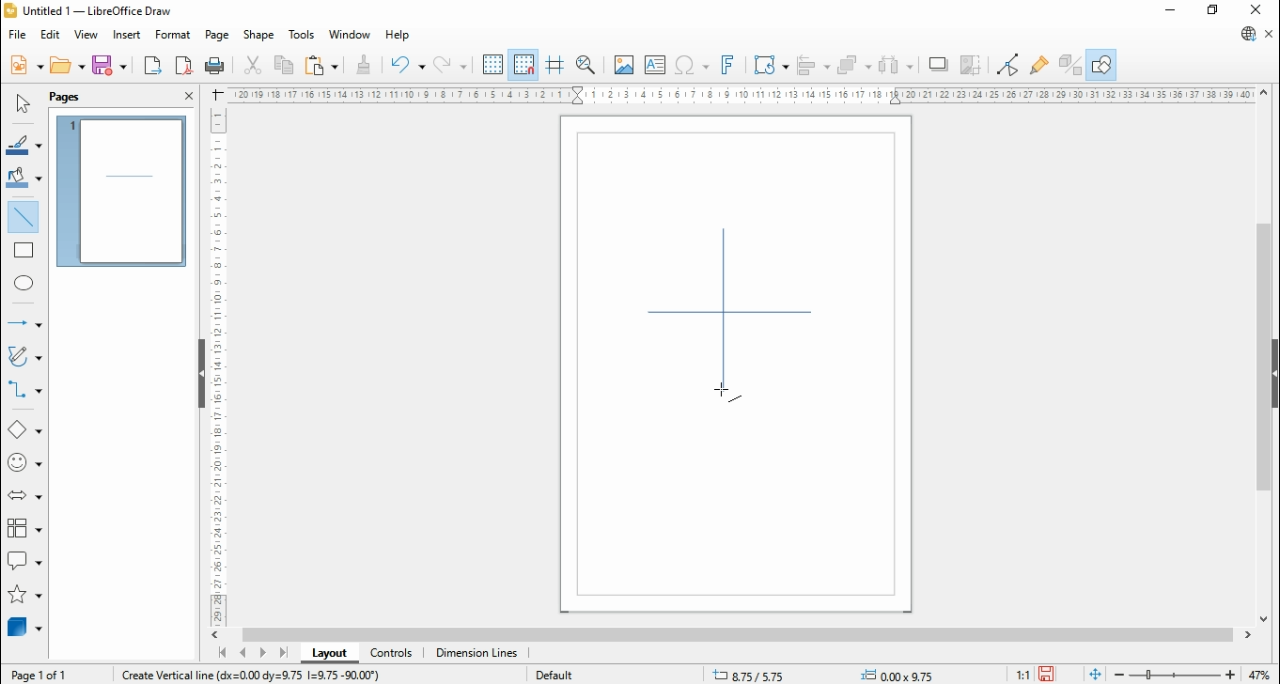 The image size is (1280, 684). Describe the element at coordinates (763, 675) in the screenshot. I see `-21.10/14.59` at that location.